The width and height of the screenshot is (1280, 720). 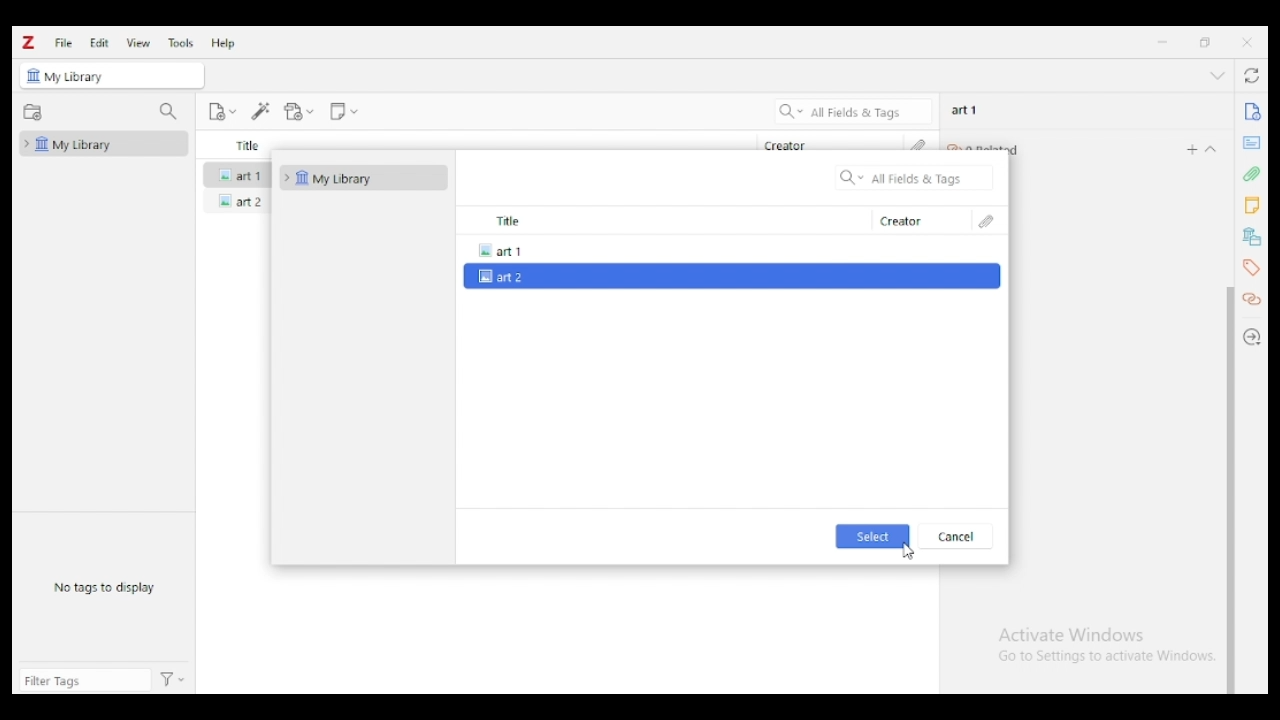 I want to click on no tags to display, so click(x=104, y=588).